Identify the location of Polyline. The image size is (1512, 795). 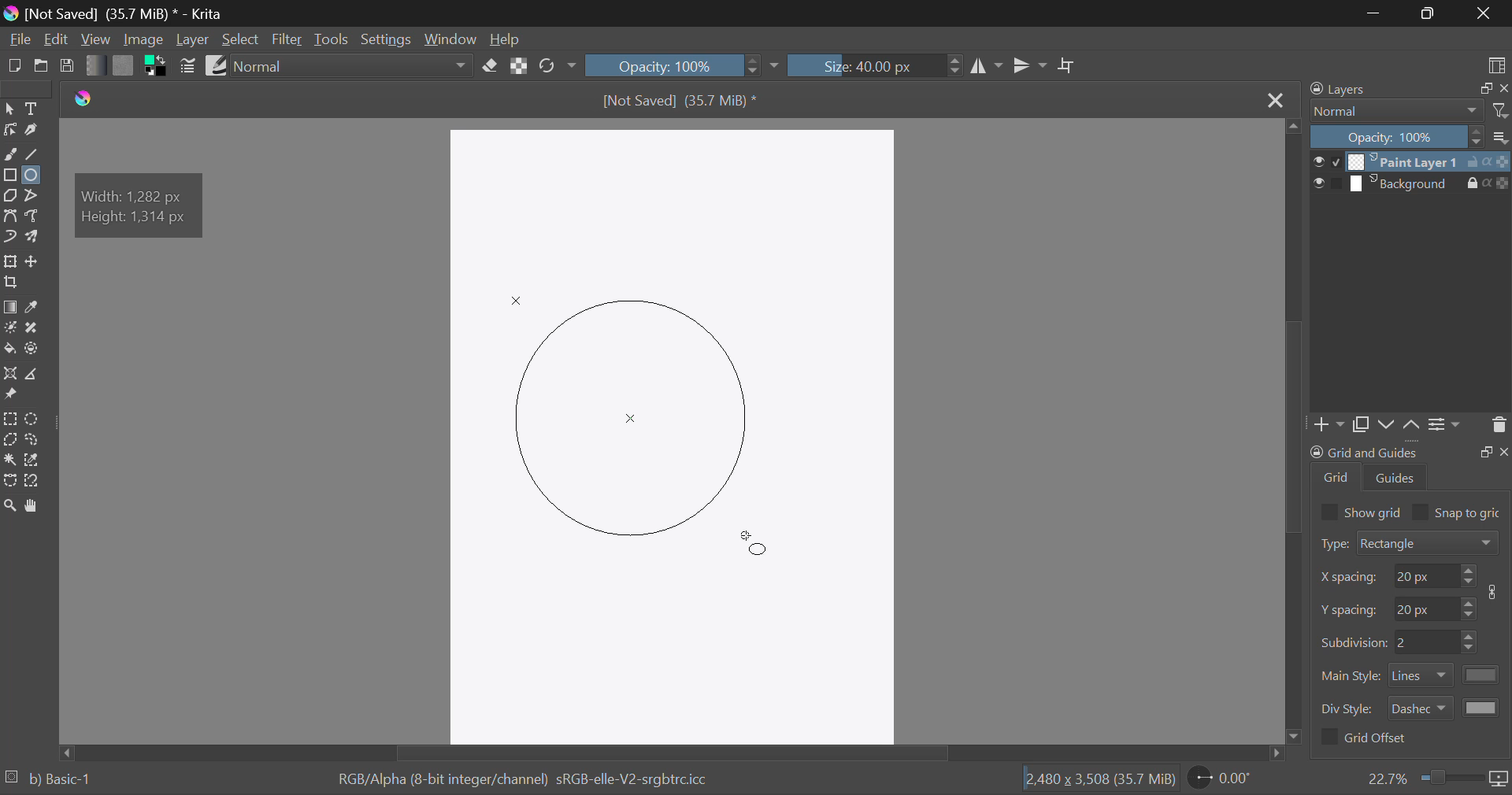
(33, 194).